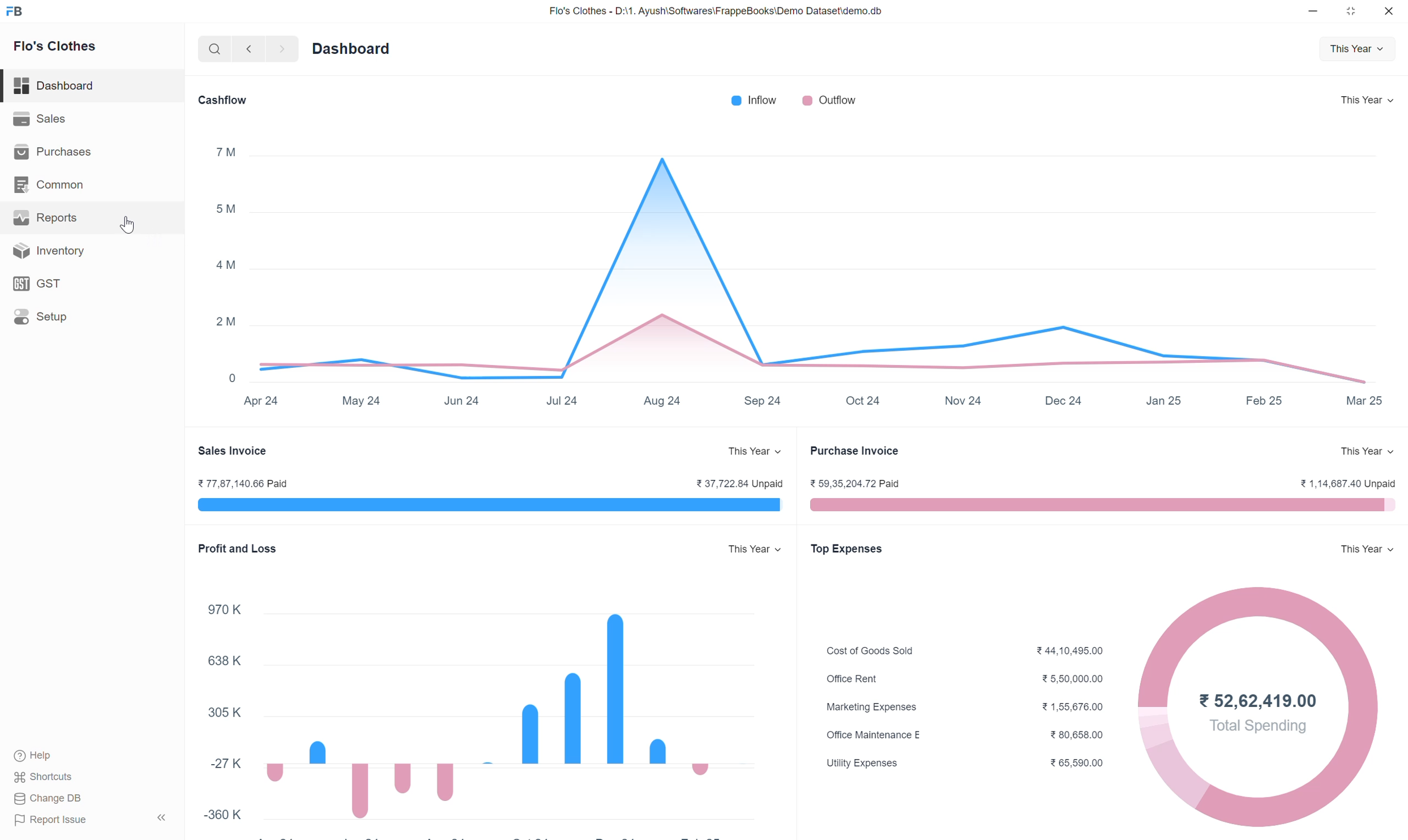 This screenshot has width=1408, height=840. What do you see at coordinates (46, 800) in the screenshot?
I see ` Change DB` at bounding box center [46, 800].